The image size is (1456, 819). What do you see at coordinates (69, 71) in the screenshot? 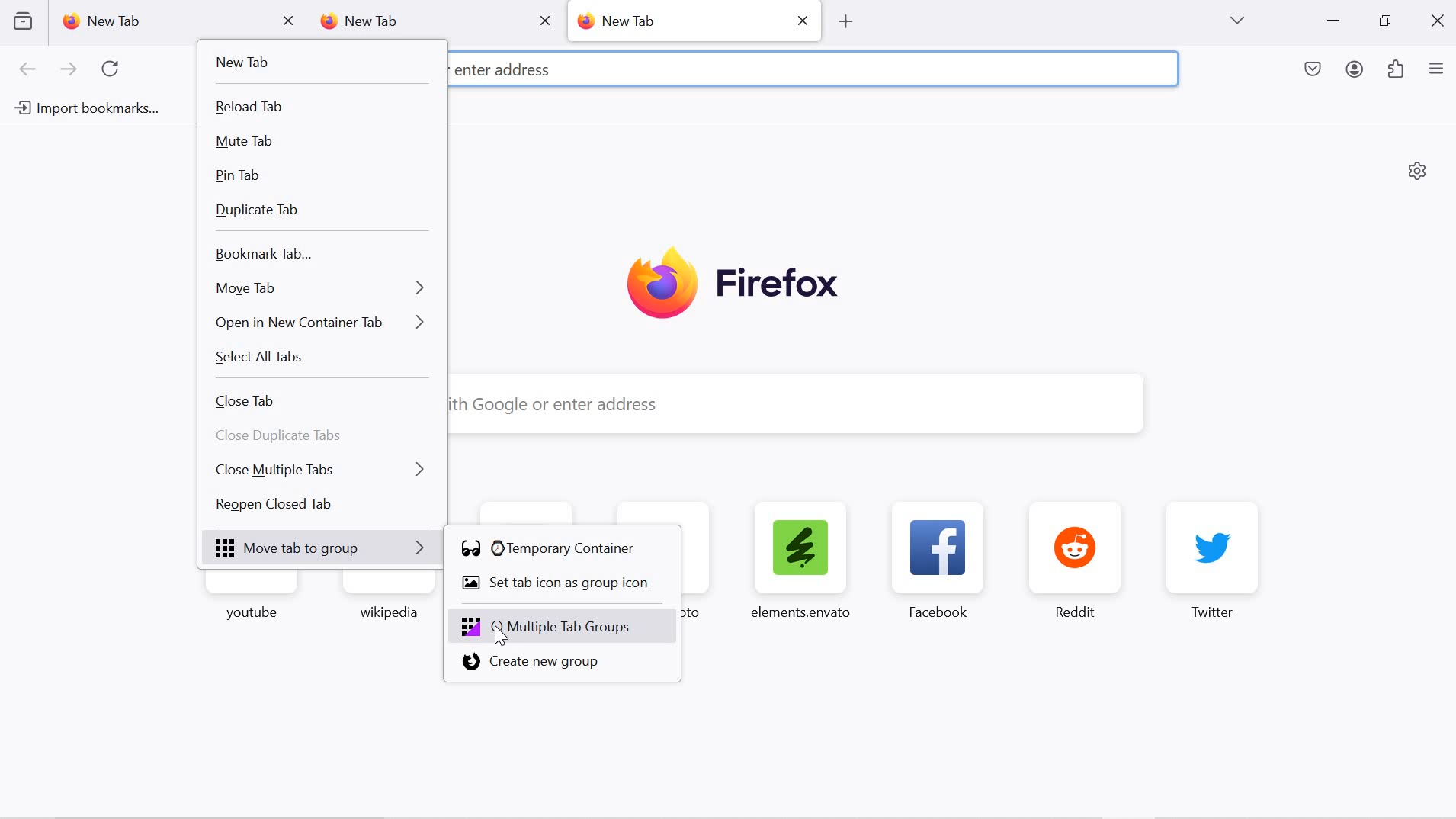
I see `next page` at bounding box center [69, 71].